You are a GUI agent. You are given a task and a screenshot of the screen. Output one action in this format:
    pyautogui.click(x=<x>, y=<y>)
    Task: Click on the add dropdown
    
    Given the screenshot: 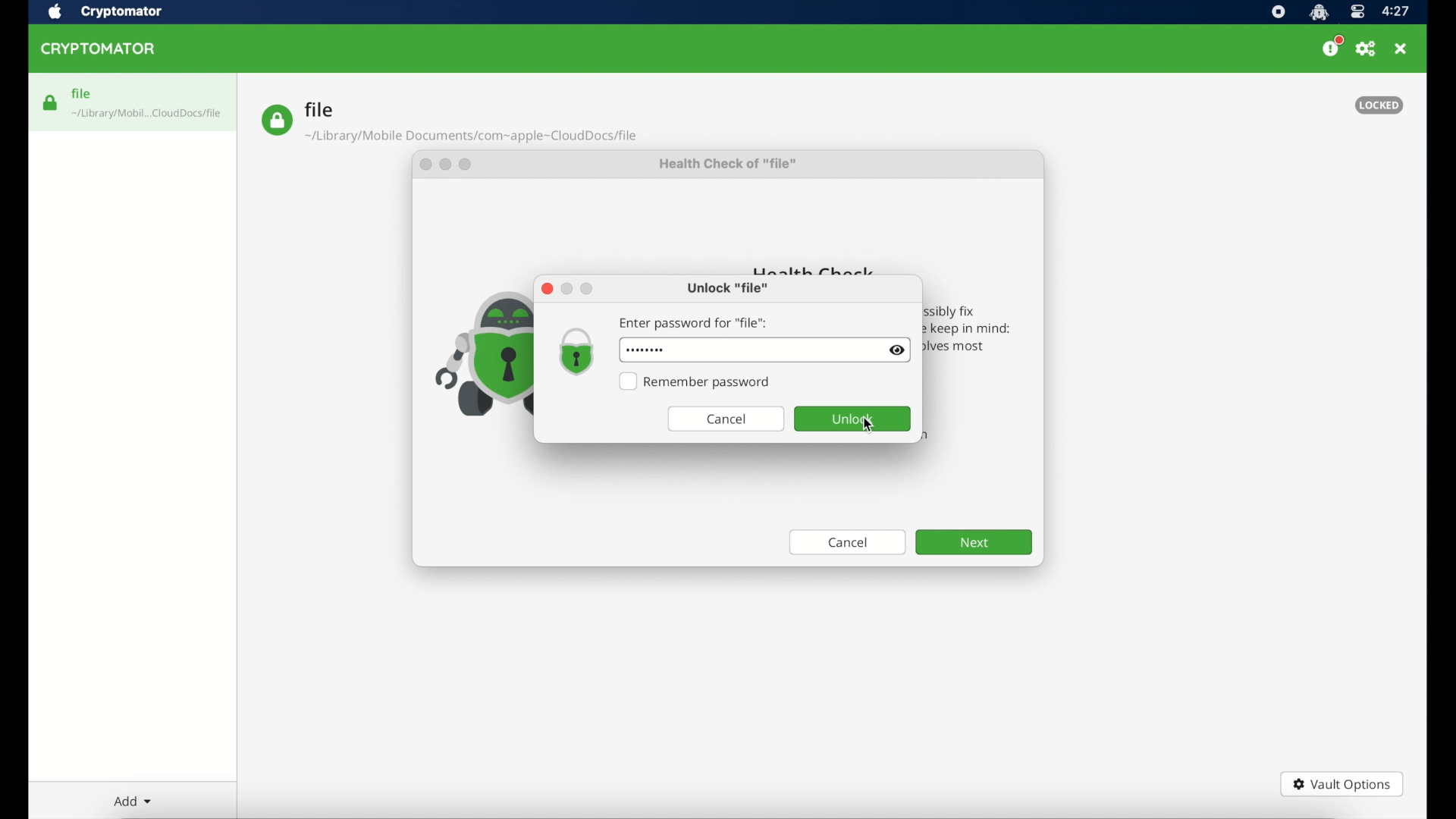 What is the action you would take?
    pyautogui.click(x=130, y=801)
    